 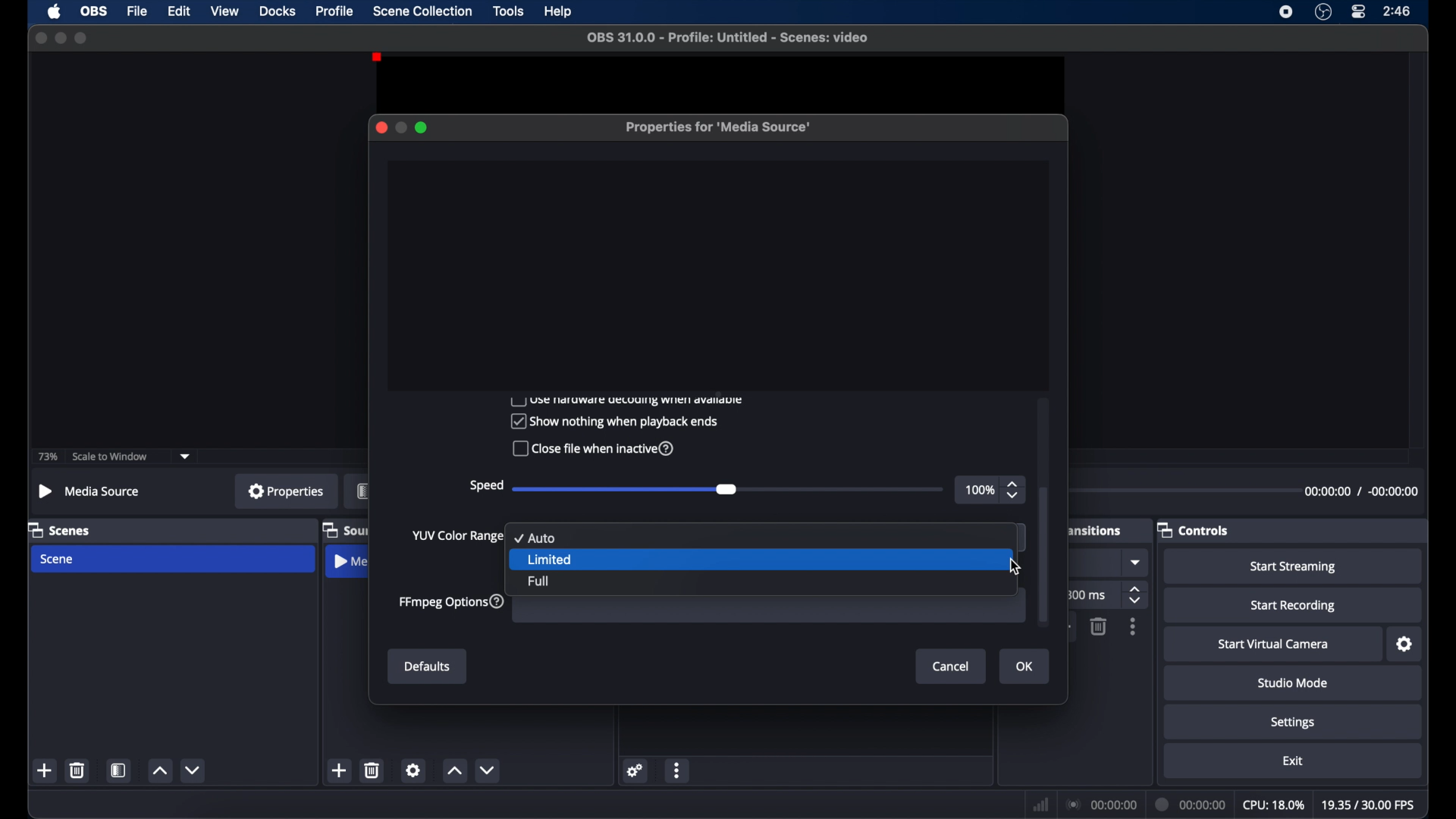 I want to click on scene filters, so click(x=119, y=770).